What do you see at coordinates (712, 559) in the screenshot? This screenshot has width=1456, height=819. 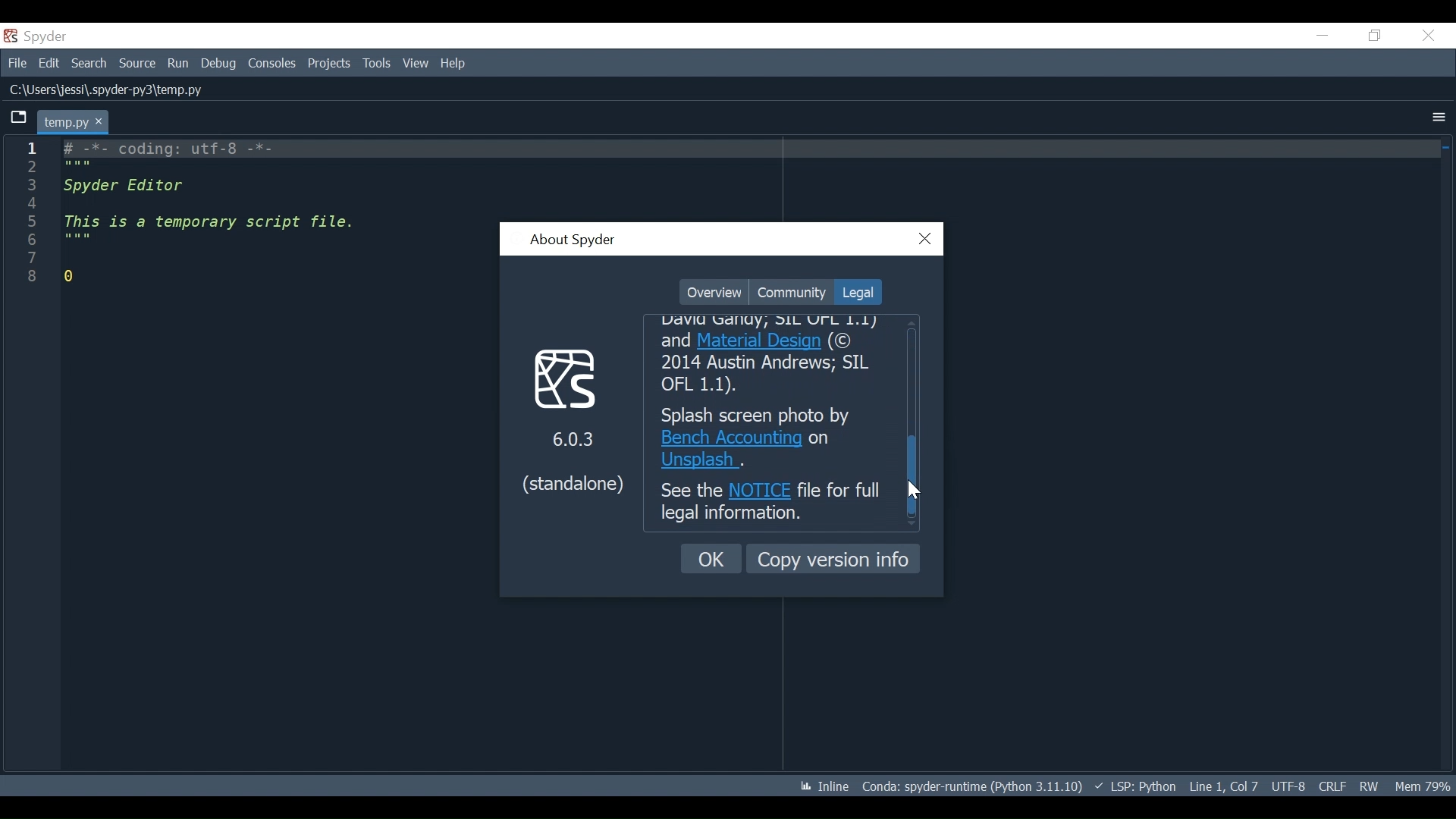 I see `OK` at bounding box center [712, 559].